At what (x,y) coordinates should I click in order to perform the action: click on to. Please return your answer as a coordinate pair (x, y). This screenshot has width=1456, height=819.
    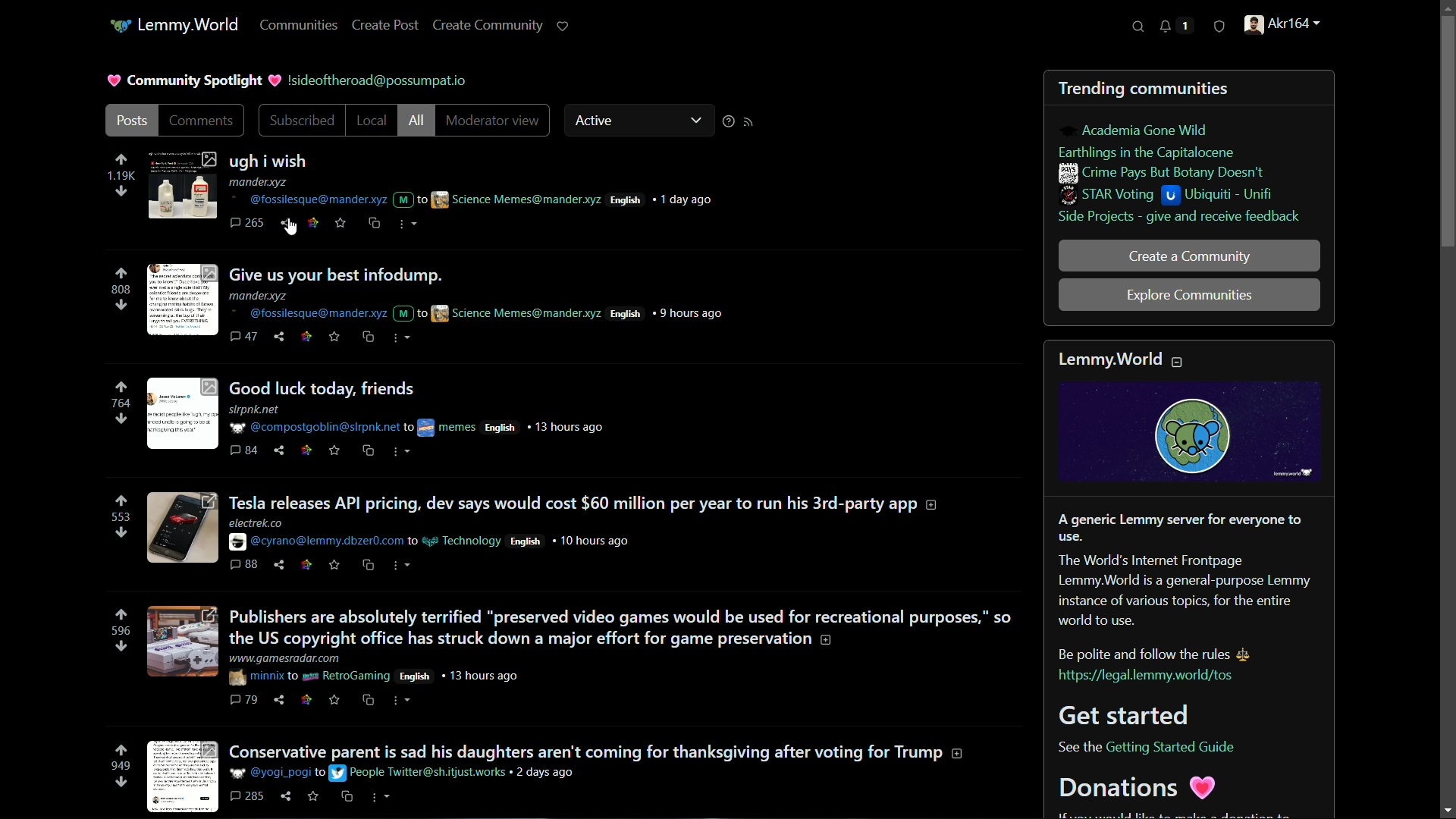
    Looking at the image, I should click on (413, 542).